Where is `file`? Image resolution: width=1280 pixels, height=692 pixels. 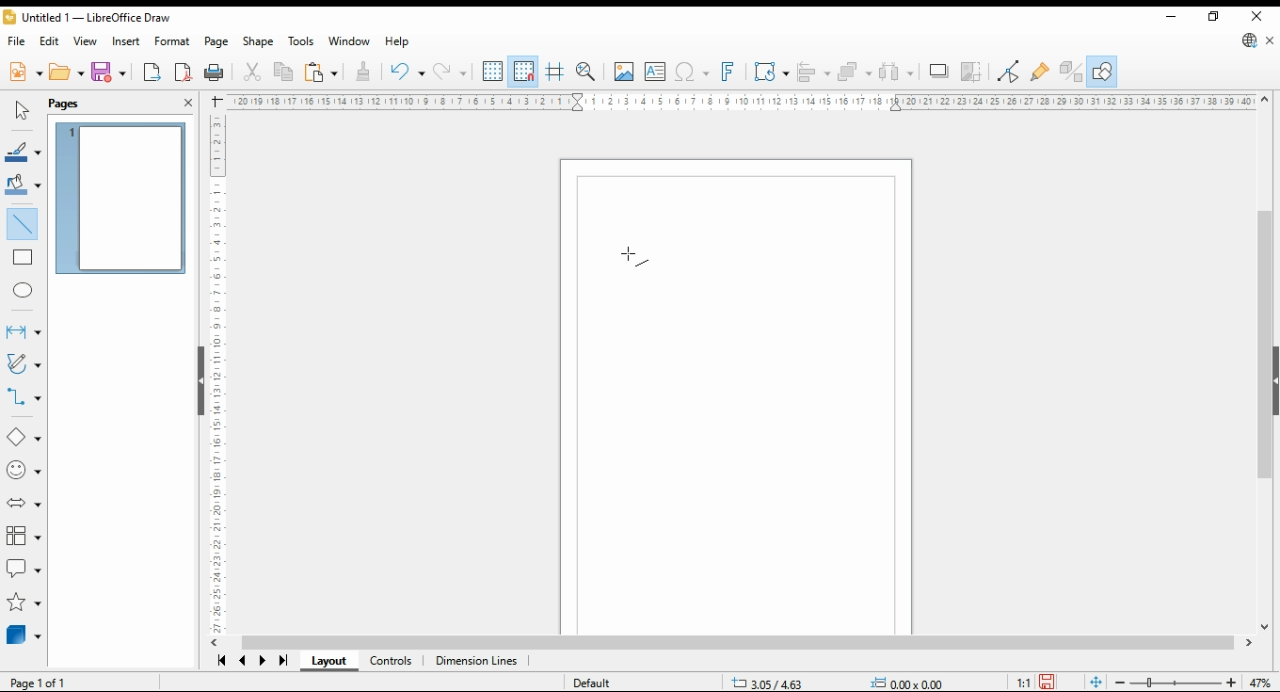
file is located at coordinates (18, 41).